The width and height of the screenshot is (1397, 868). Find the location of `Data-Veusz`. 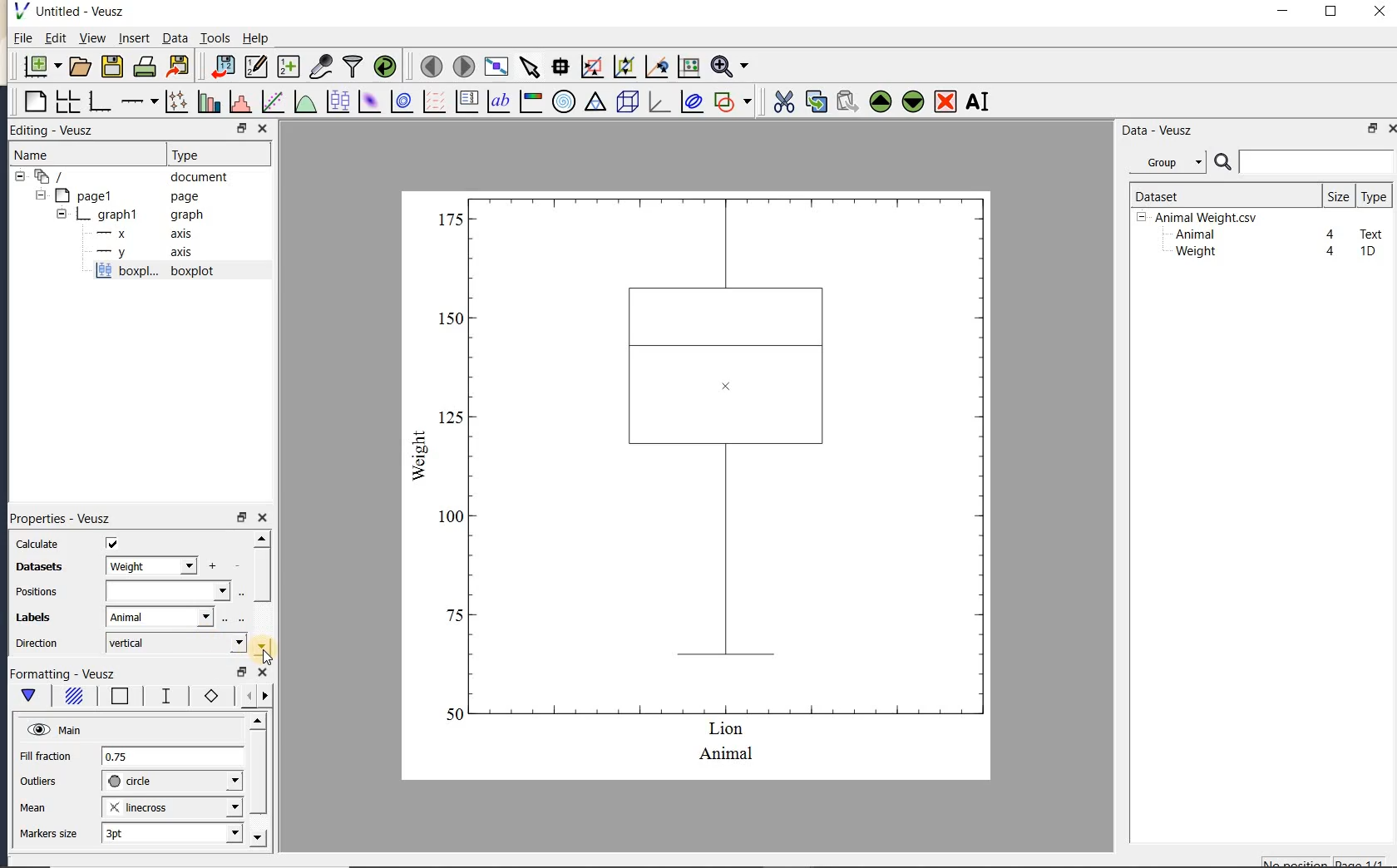

Data-Veusz is located at coordinates (1158, 131).